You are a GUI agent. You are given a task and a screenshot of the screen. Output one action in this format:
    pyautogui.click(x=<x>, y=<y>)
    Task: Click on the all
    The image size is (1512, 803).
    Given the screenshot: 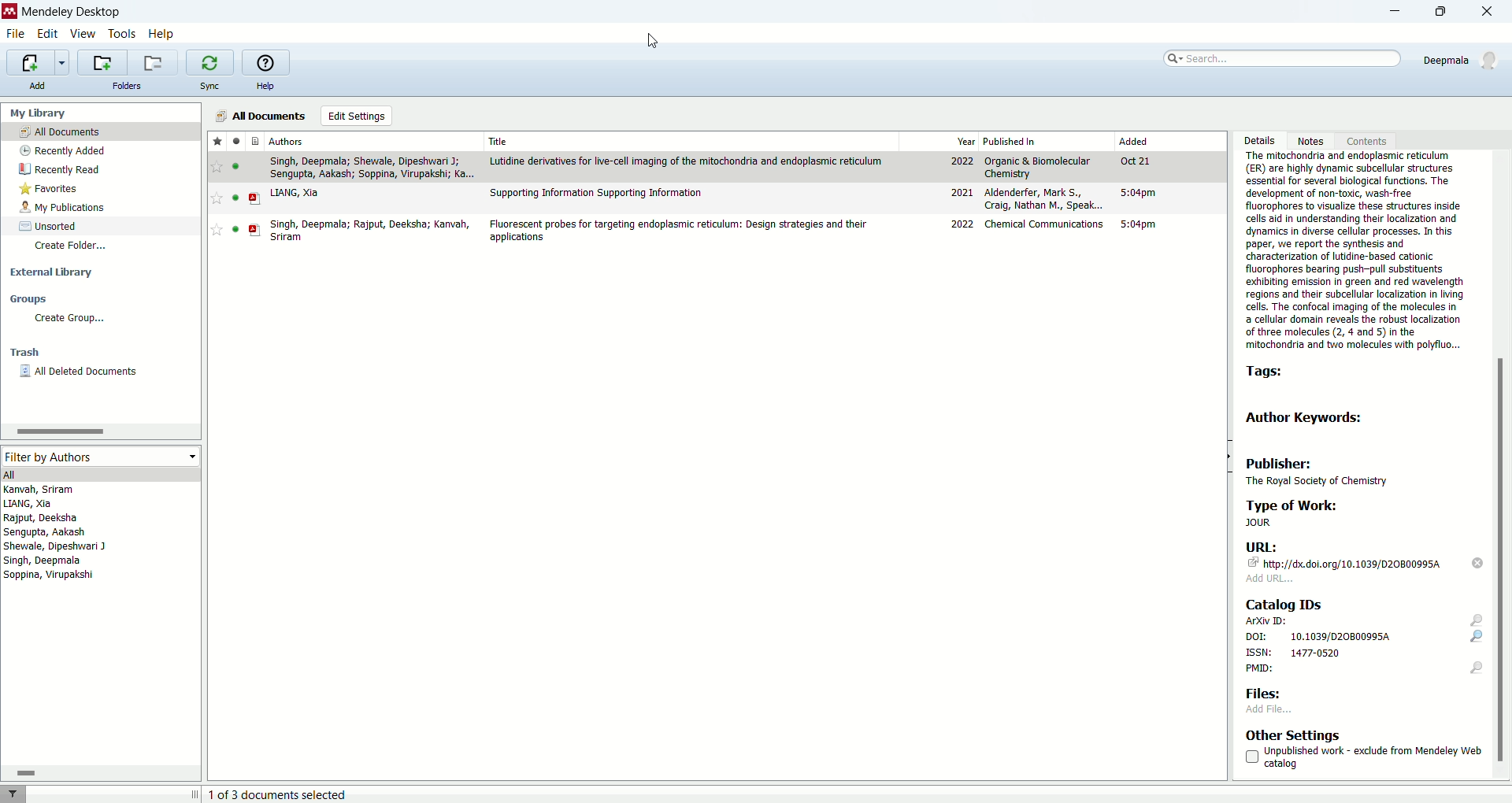 What is the action you would take?
    pyautogui.click(x=98, y=474)
    